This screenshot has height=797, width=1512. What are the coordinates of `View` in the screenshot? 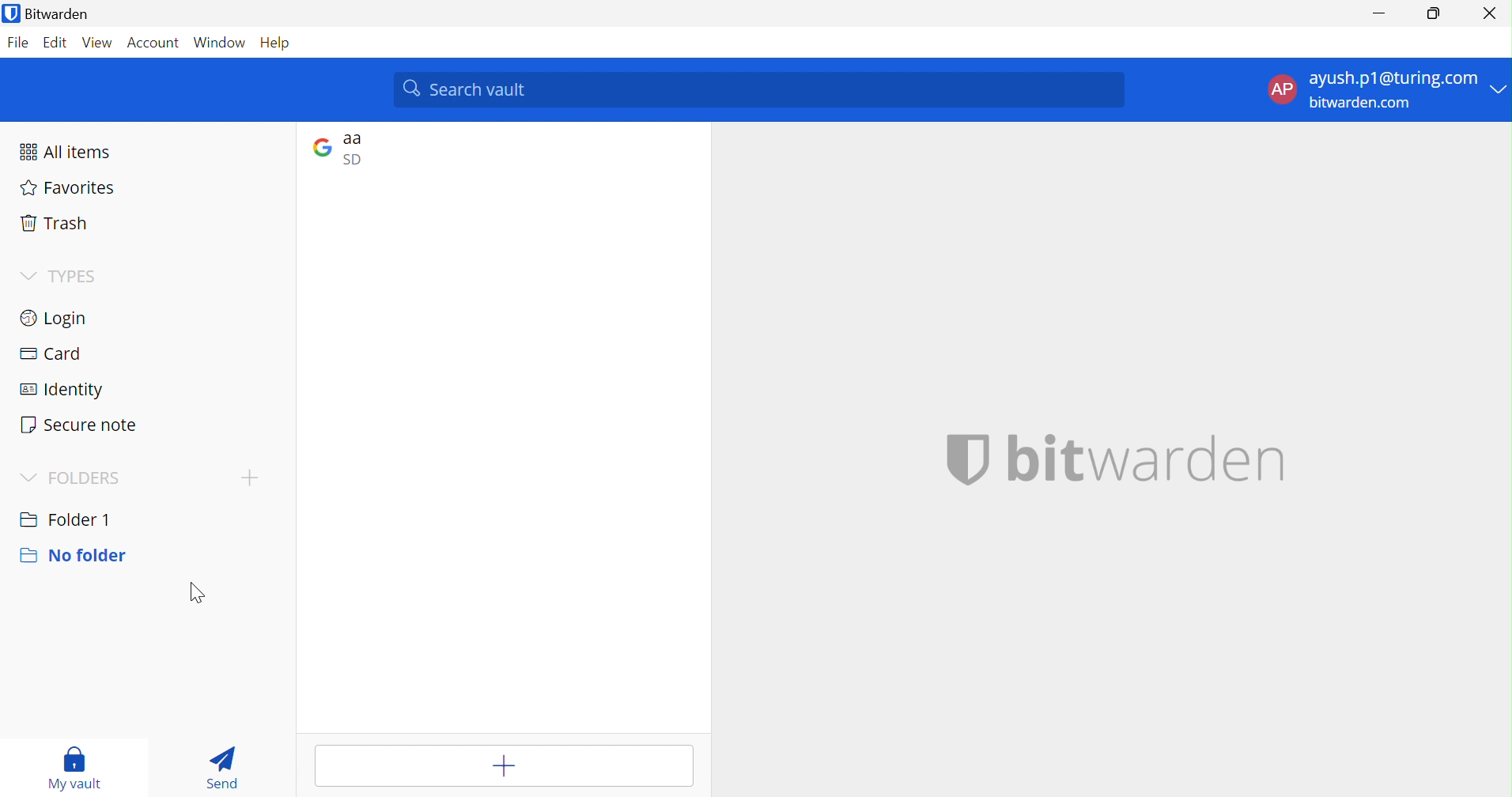 It's located at (97, 42).